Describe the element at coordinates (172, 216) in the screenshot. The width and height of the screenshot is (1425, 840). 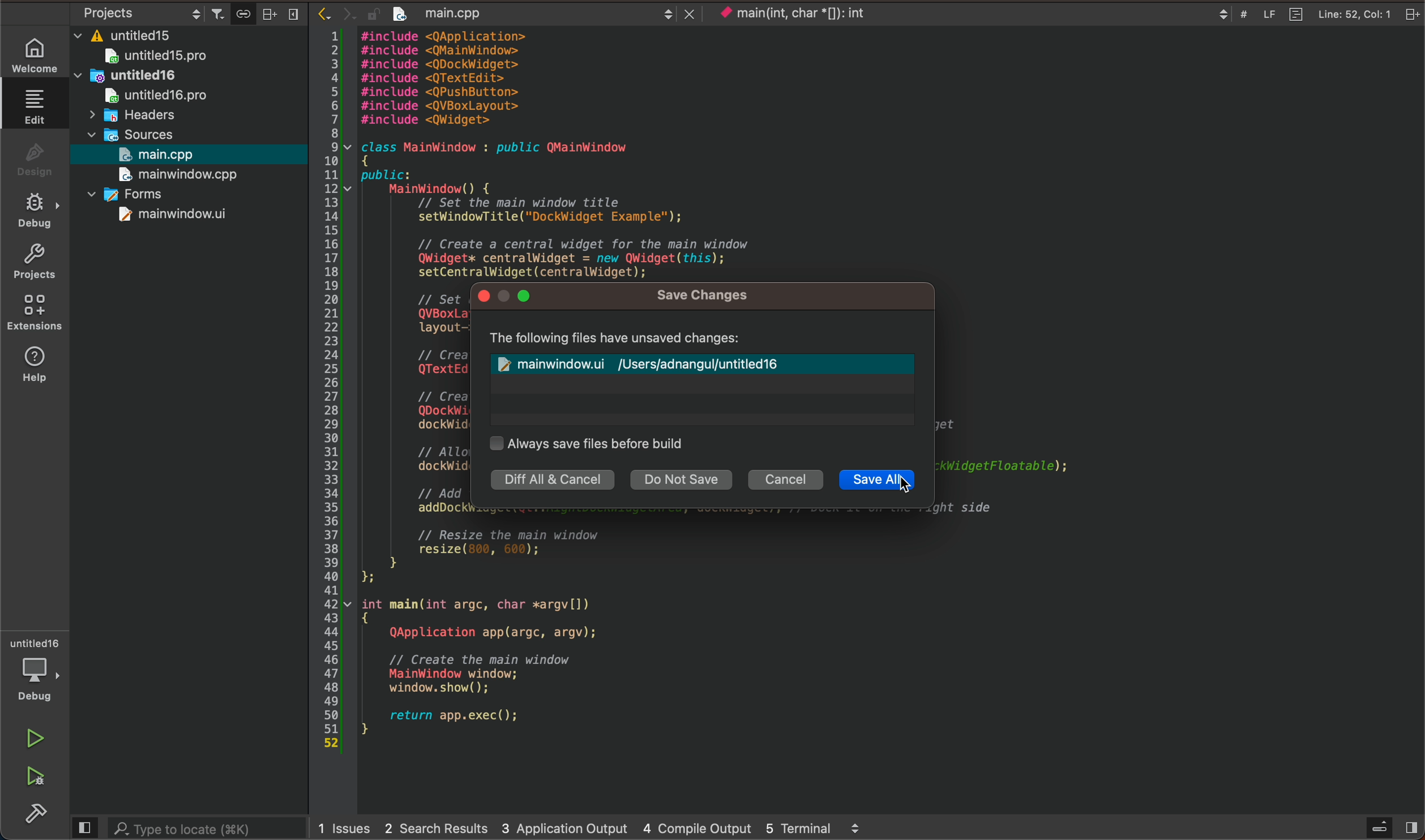
I see `mainwindow` at that location.